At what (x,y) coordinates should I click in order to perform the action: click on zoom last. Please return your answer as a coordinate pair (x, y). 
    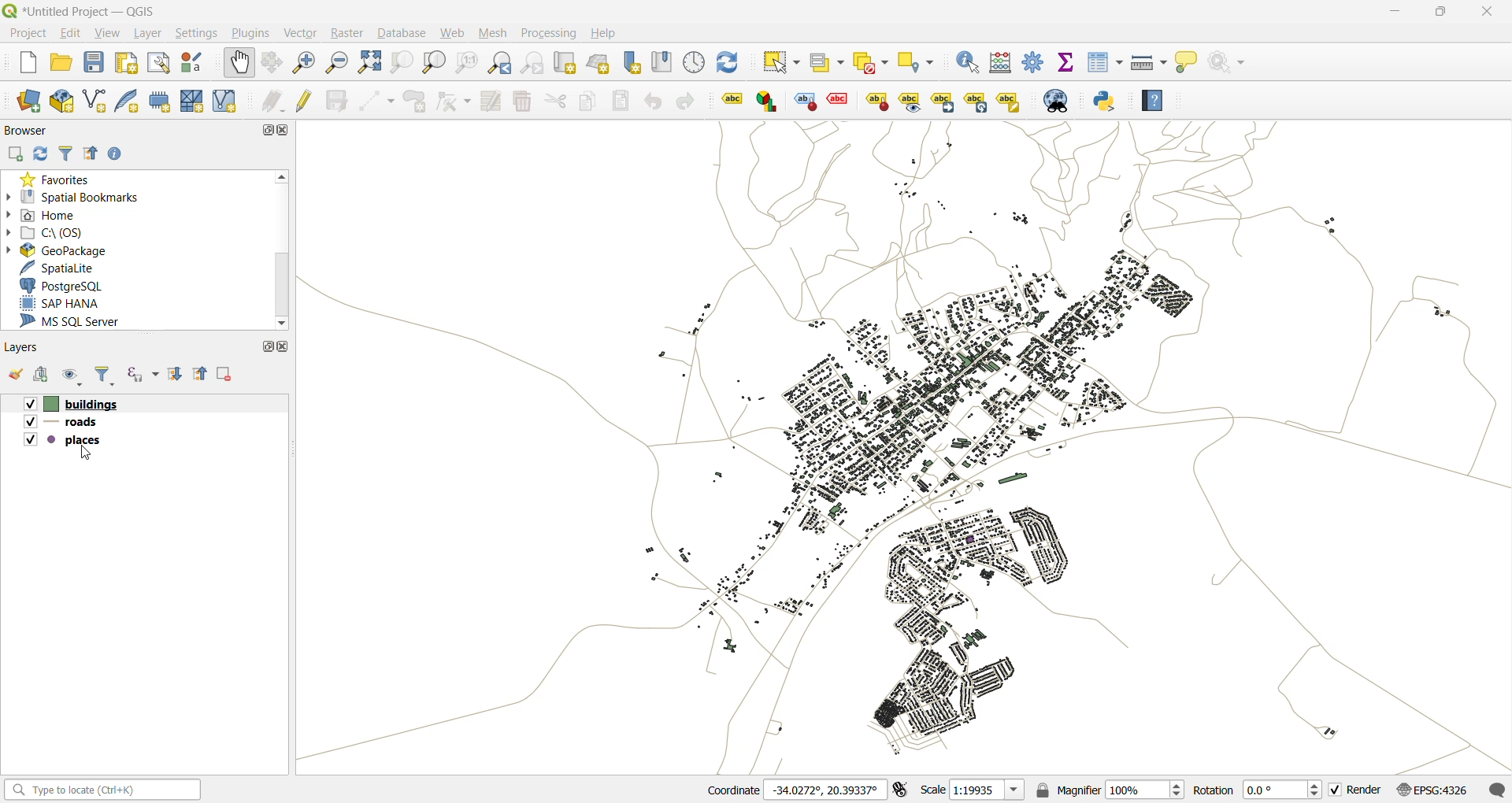
    Looking at the image, I should click on (502, 61).